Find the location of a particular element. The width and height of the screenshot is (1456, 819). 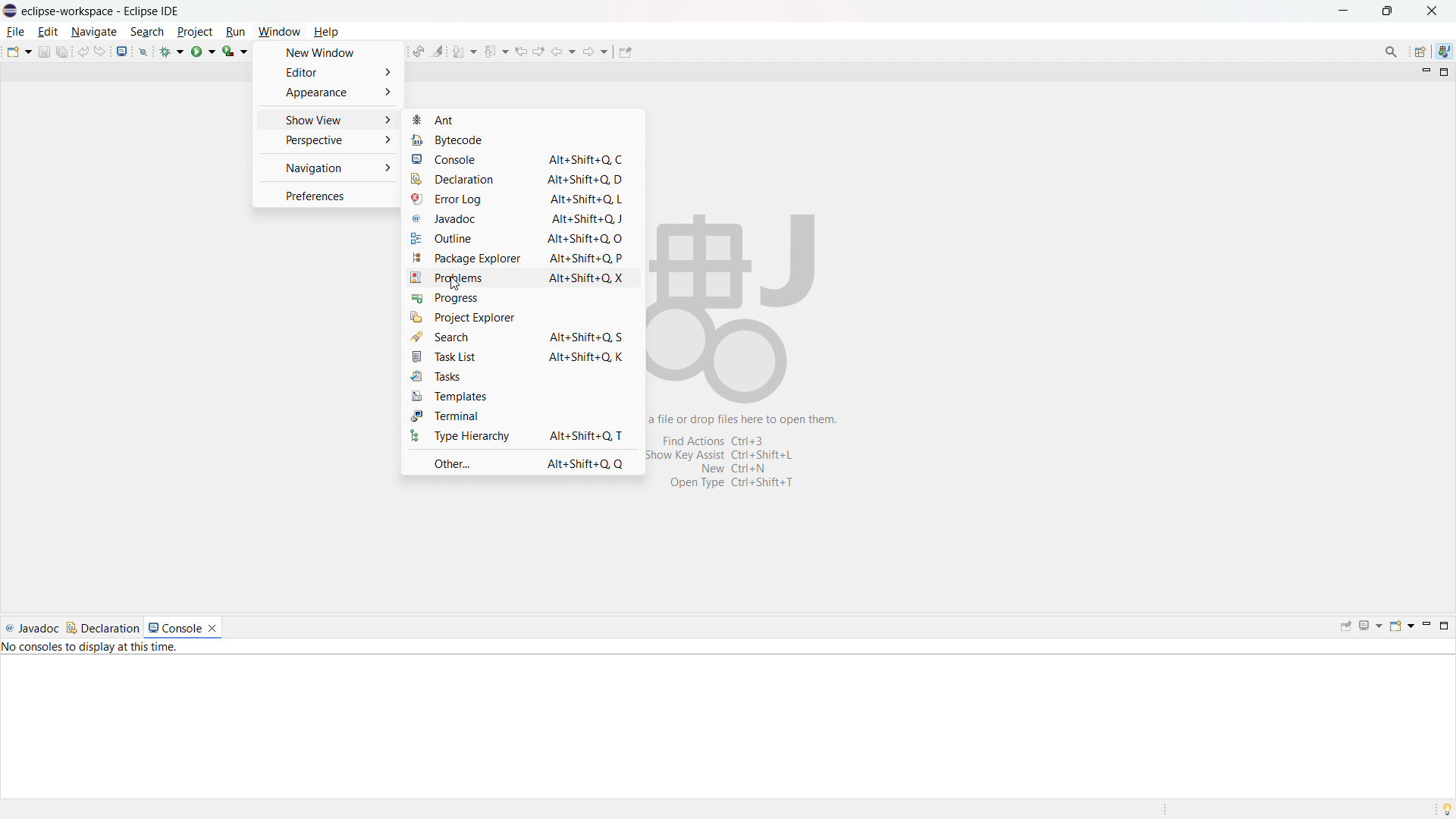

file is located at coordinates (17, 31).